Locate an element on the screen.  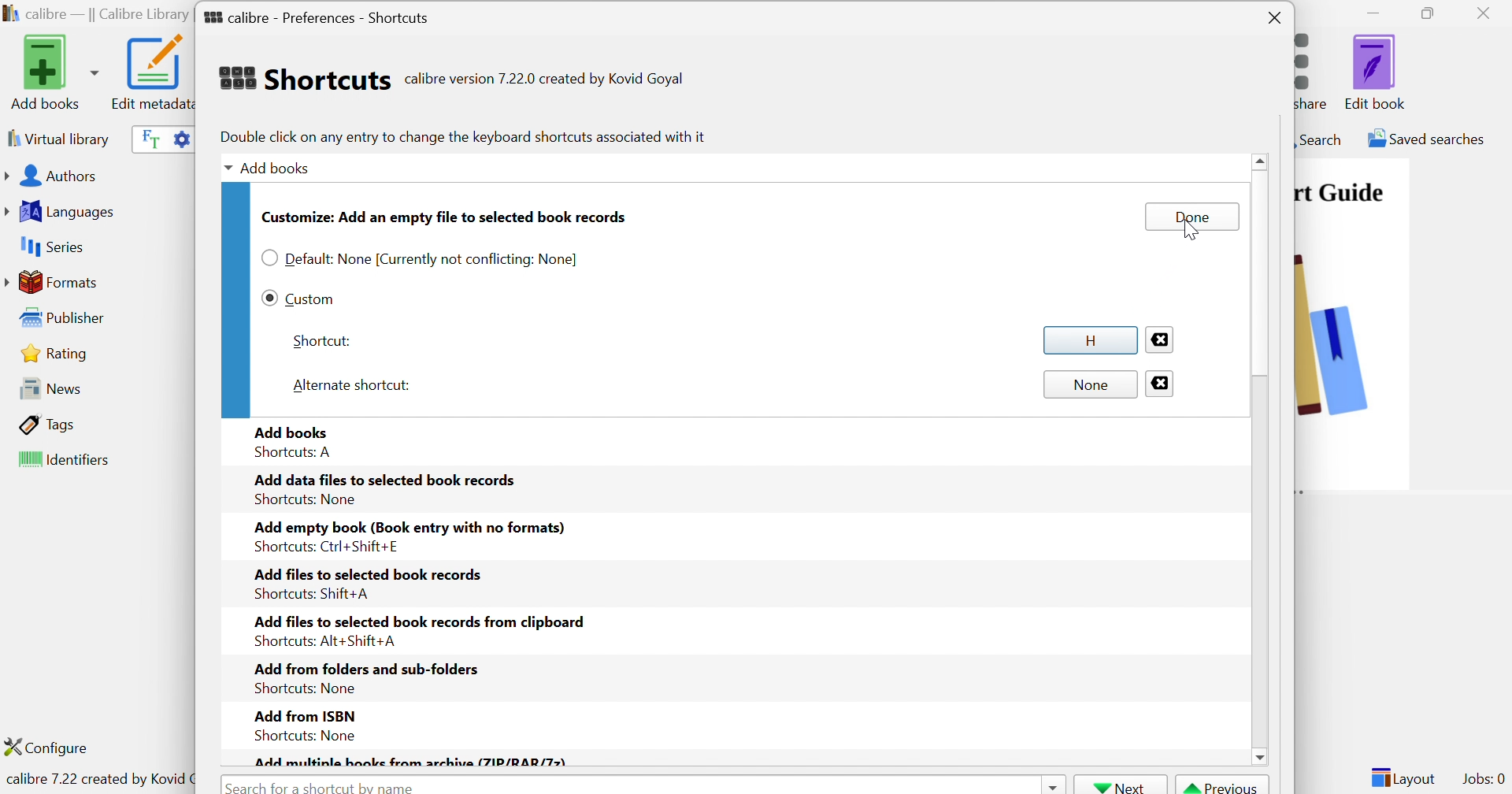
None is located at coordinates (1091, 385).